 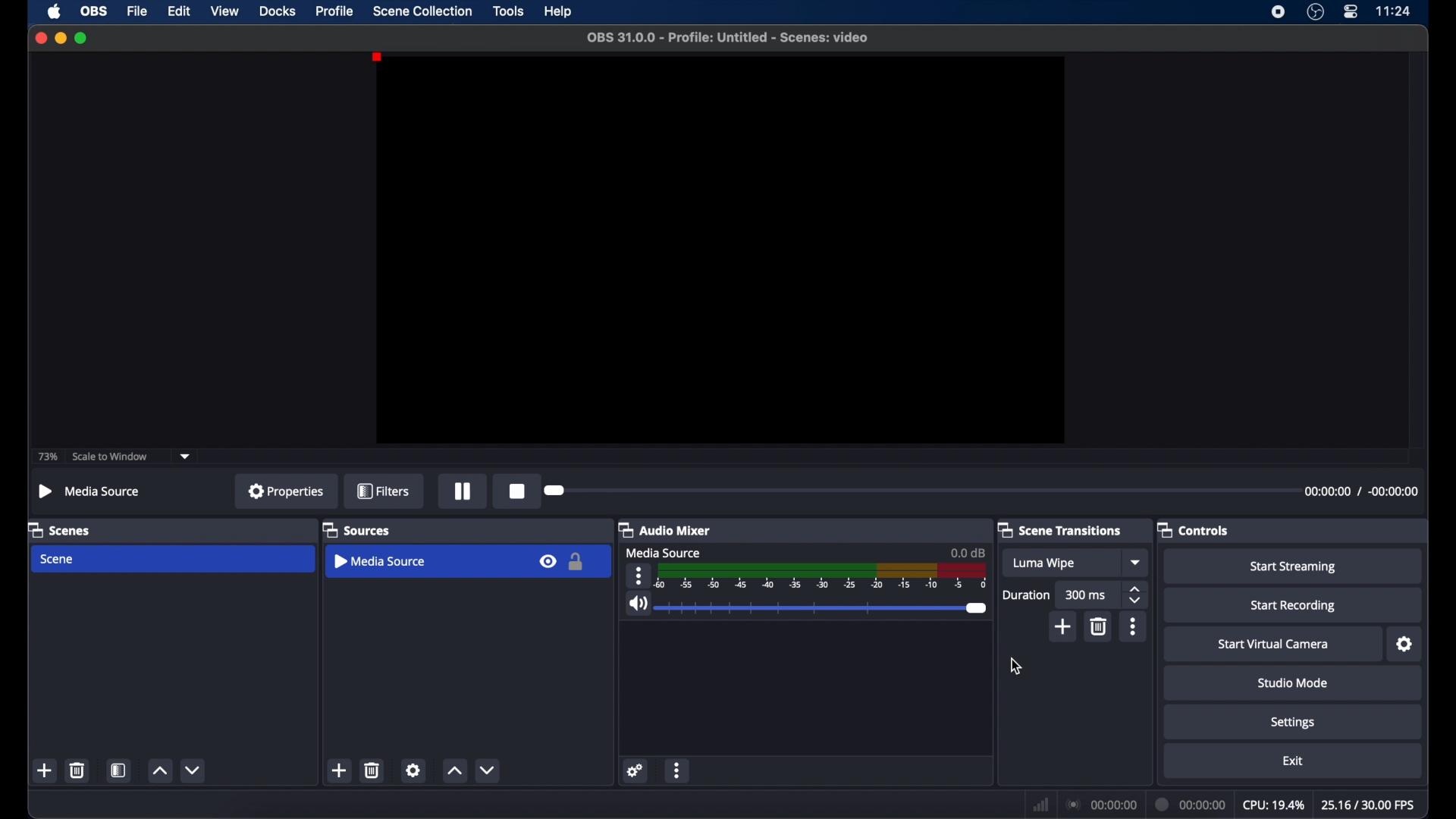 I want to click on more options, so click(x=679, y=770).